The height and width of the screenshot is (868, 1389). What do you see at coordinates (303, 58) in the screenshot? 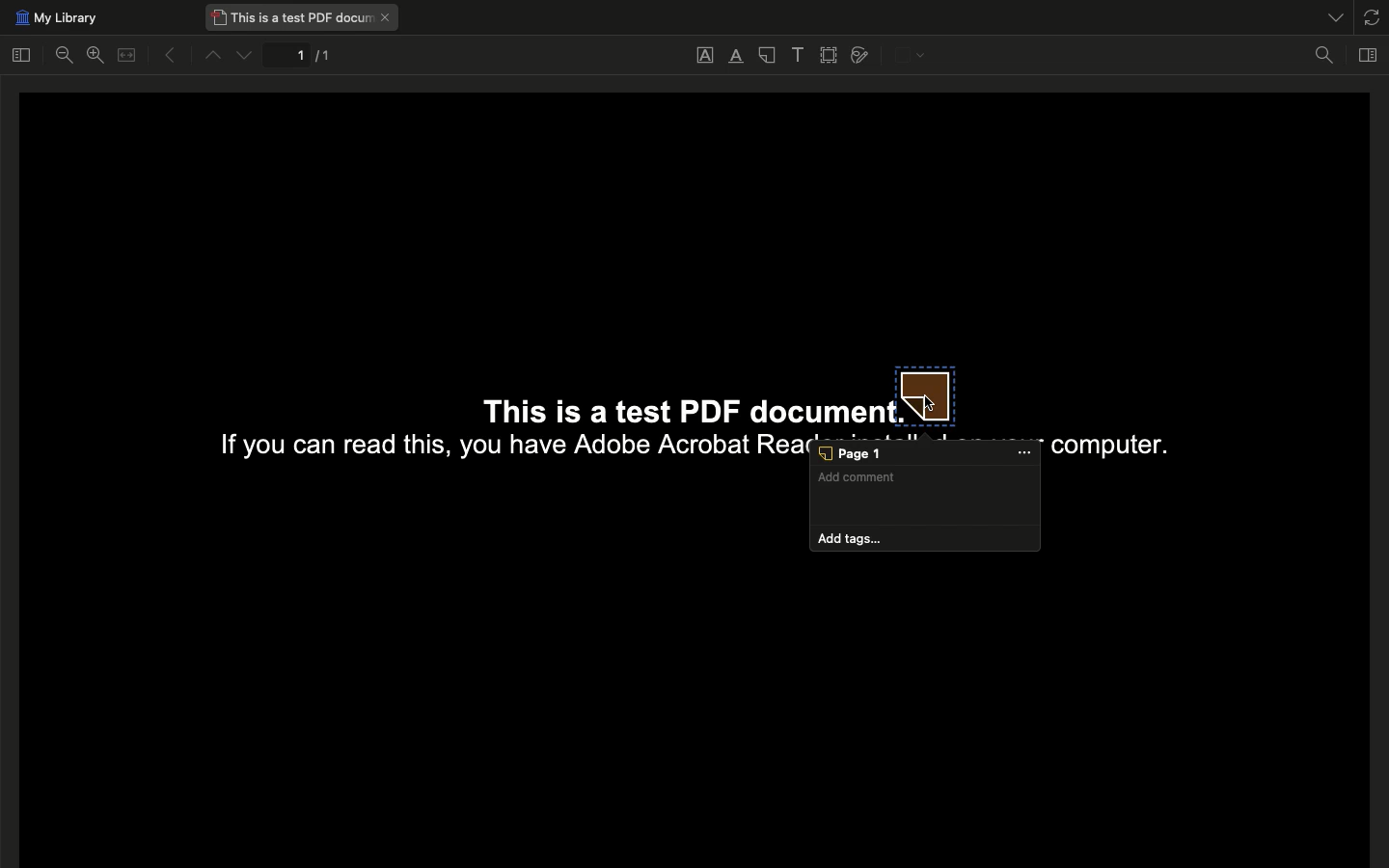
I see `1/1` at bounding box center [303, 58].